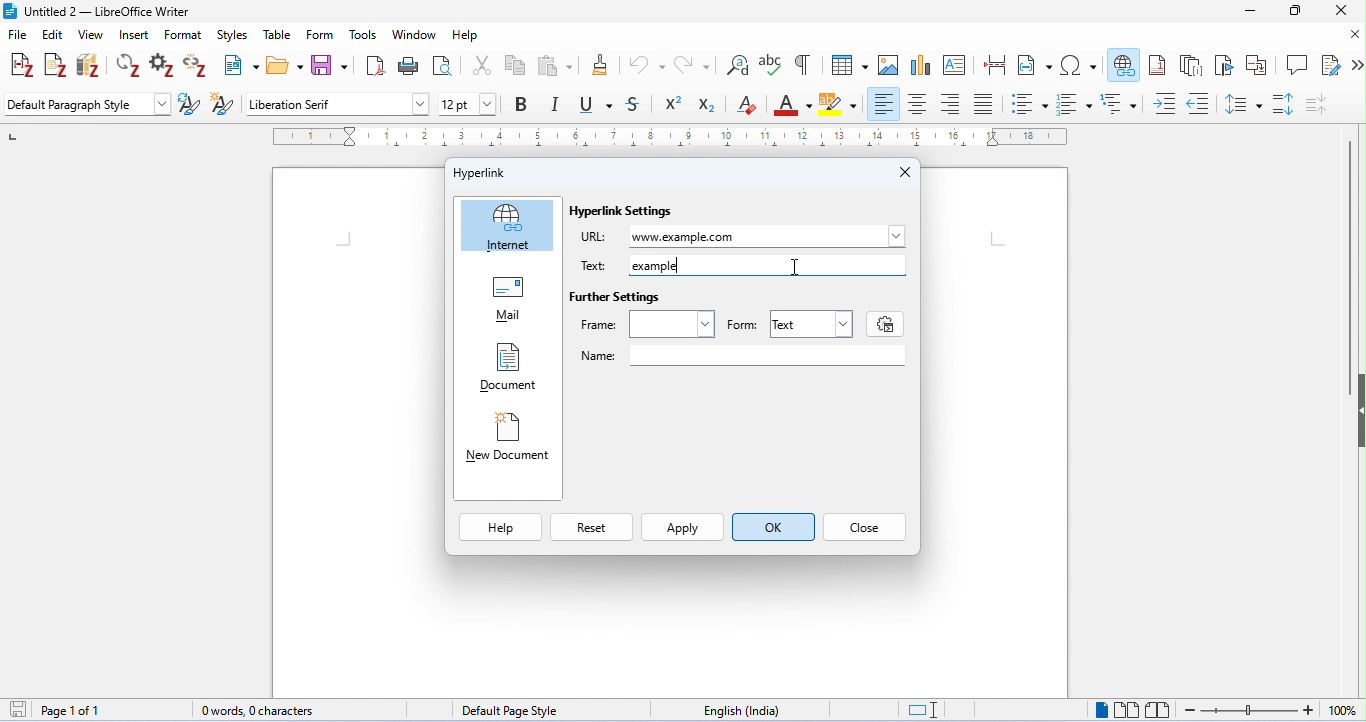 This screenshot has height=722, width=1366. I want to click on set document preference, so click(164, 65).